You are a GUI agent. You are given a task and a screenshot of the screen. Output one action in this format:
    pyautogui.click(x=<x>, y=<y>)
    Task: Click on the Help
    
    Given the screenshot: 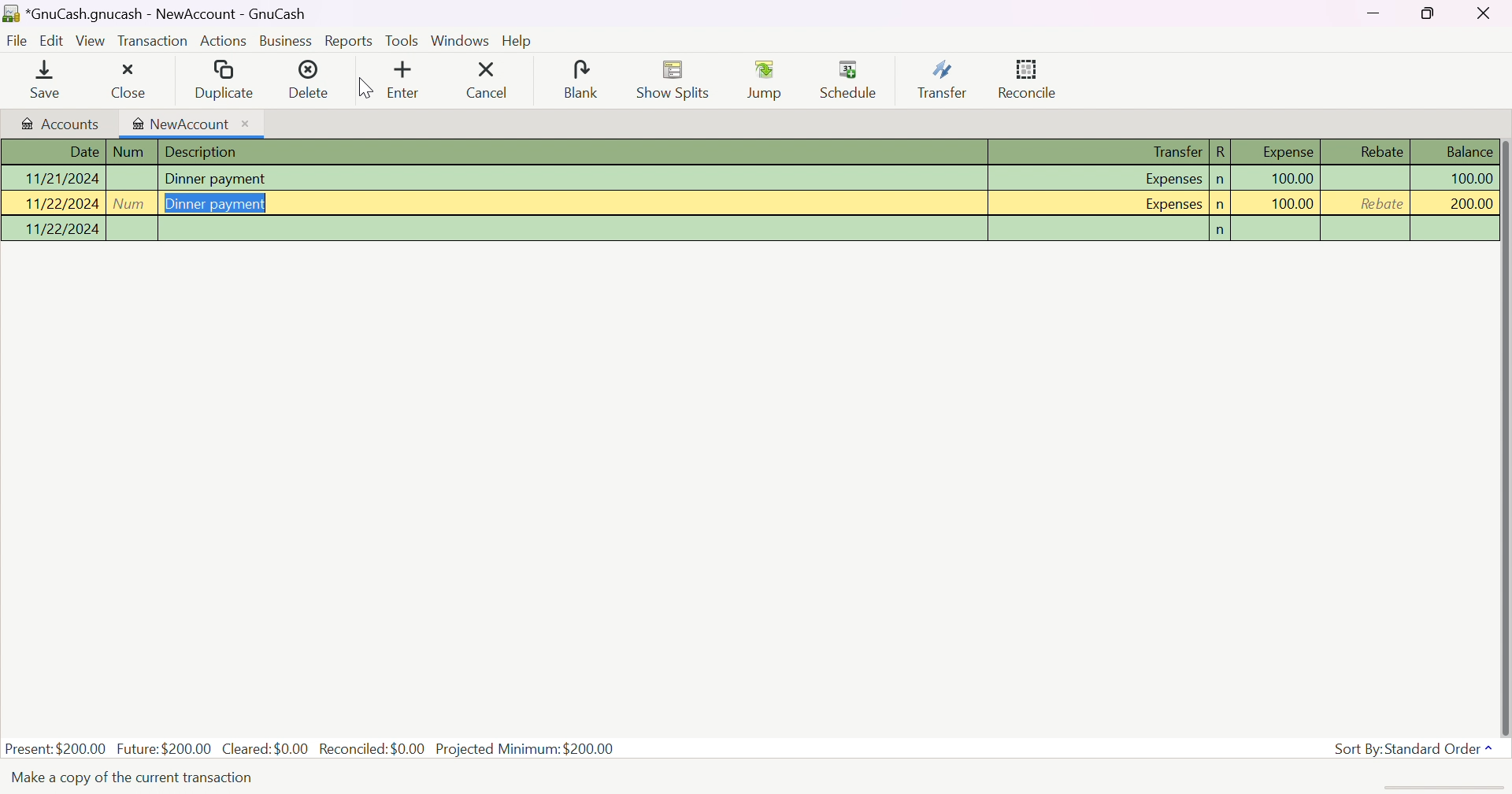 What is the action you would take?
    pyautogui.click(x=517, y=42)
    